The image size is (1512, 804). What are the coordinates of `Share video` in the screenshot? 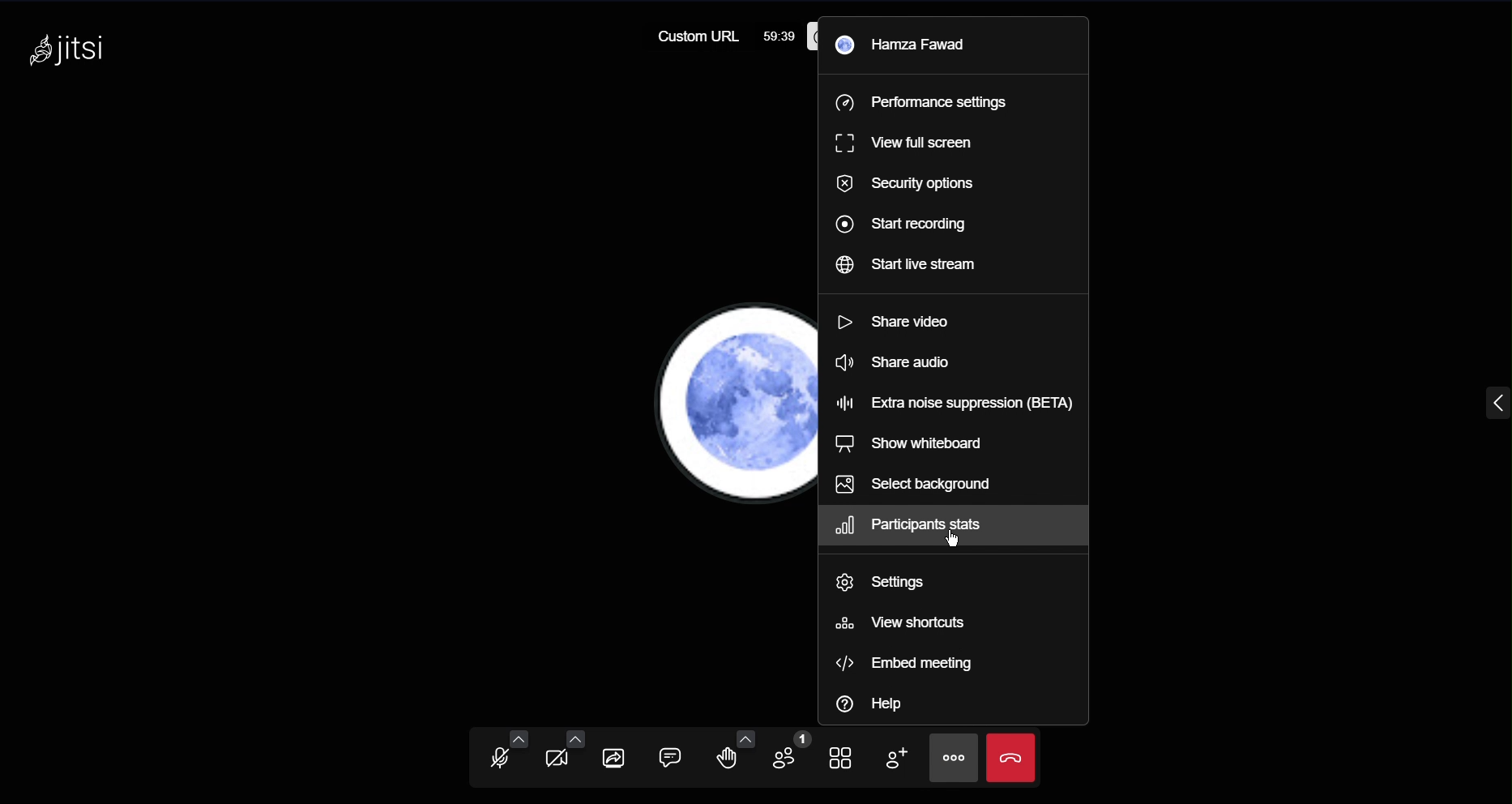 It's located at (901, 322).